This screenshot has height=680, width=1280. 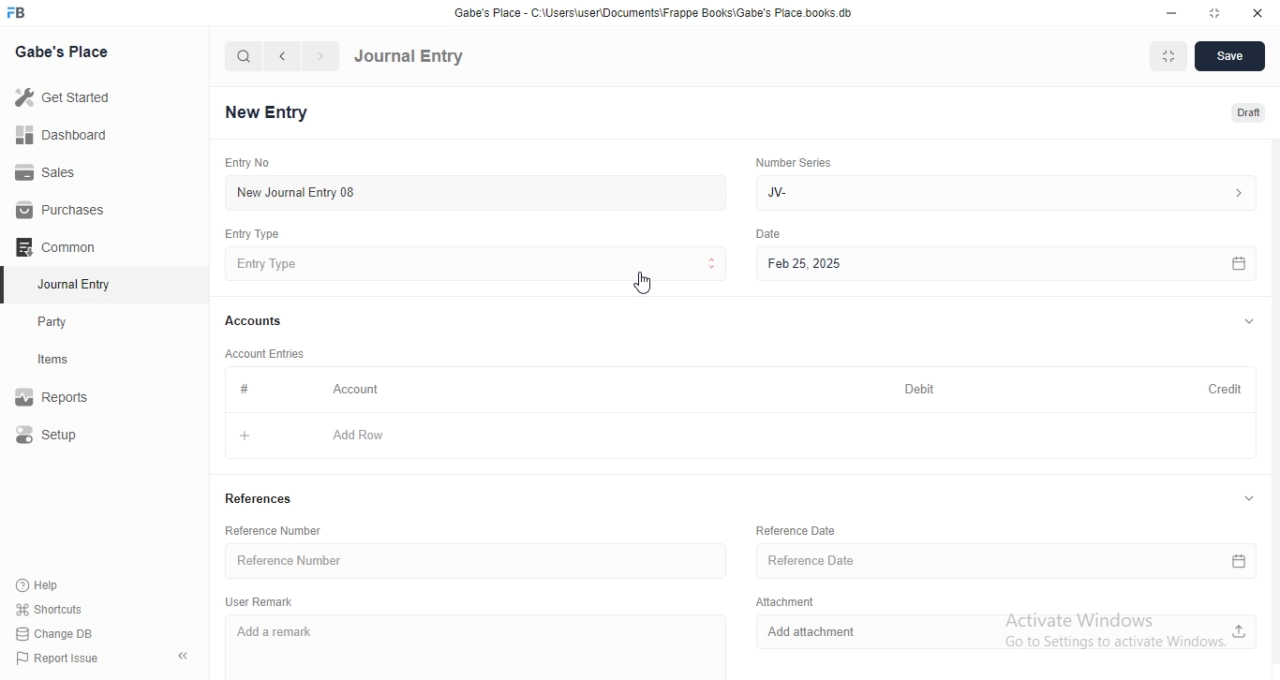 I want to click on Gabe's Place, so click(x=61, y=52).